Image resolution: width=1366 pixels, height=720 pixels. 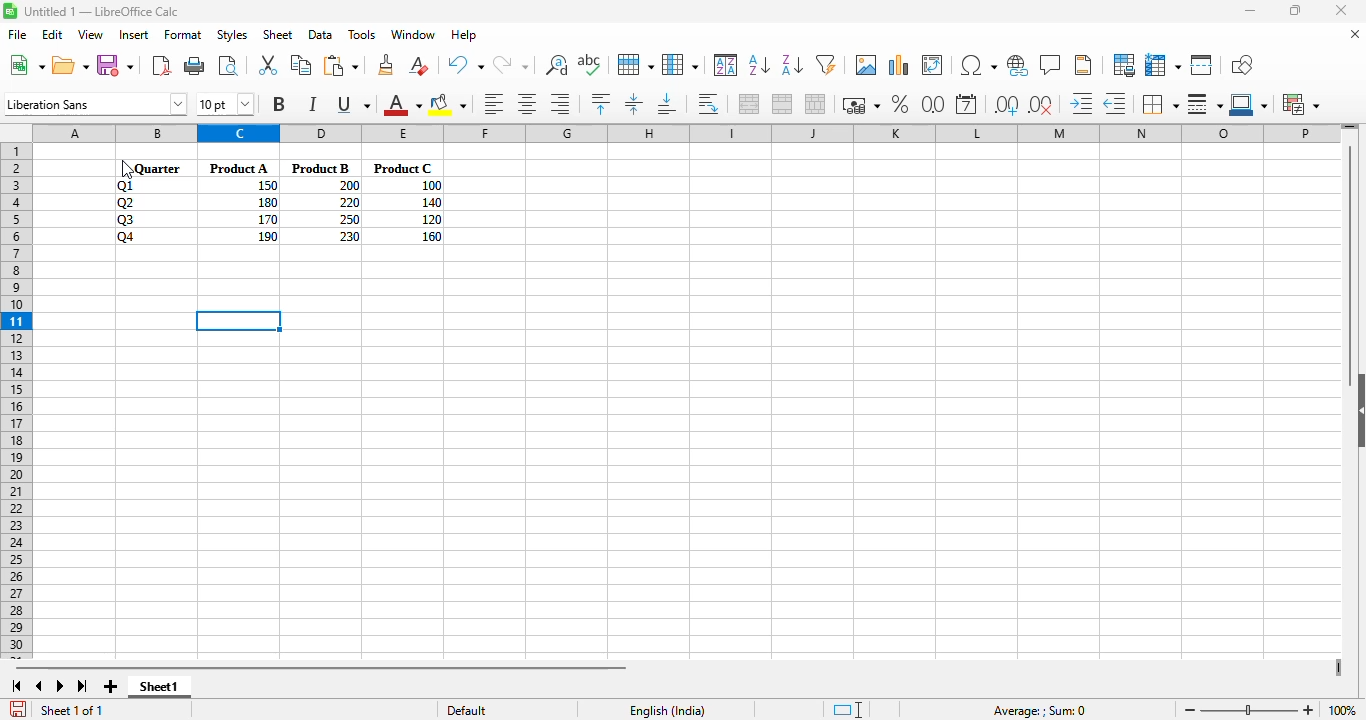 I want to click on merge cells, so click(x=782, y=103).